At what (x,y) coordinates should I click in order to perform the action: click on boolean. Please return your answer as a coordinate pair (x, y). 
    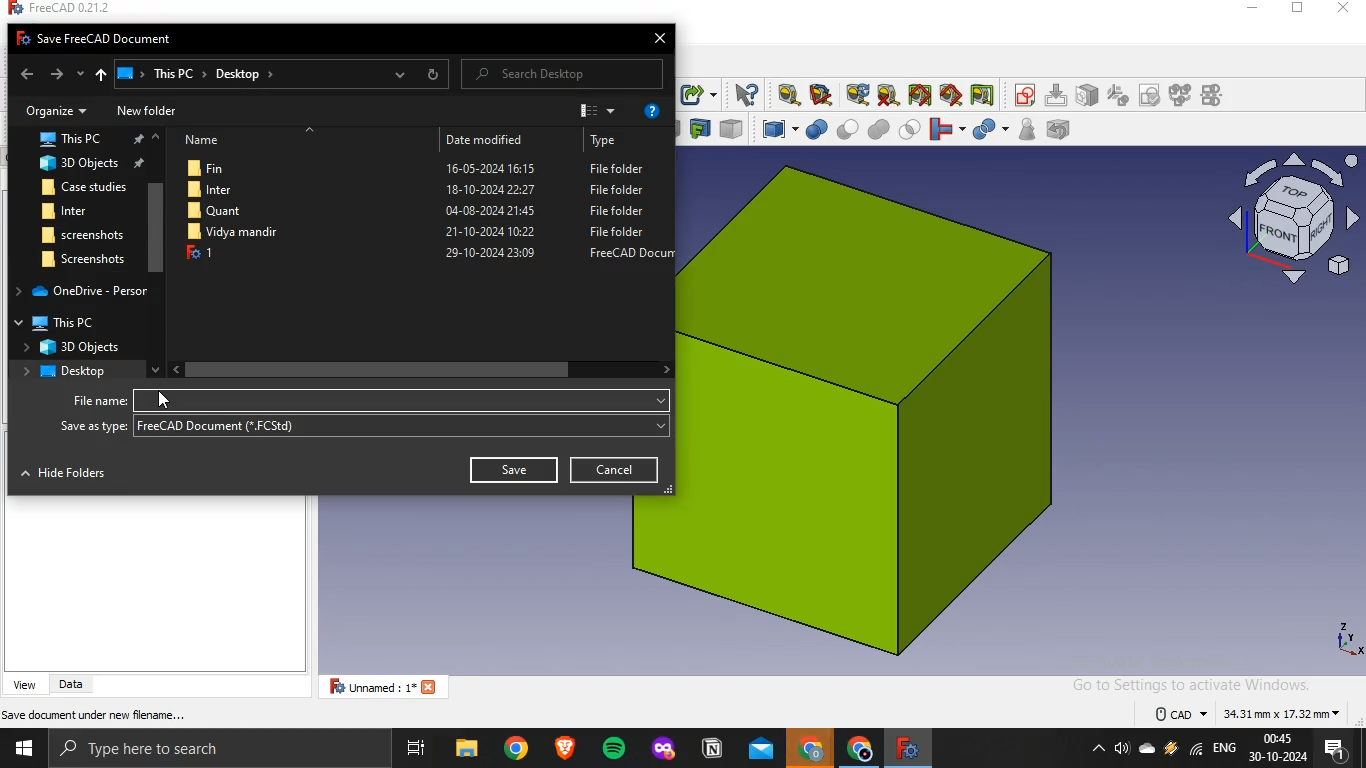
    Looking at the image, I should click on (816, 128).